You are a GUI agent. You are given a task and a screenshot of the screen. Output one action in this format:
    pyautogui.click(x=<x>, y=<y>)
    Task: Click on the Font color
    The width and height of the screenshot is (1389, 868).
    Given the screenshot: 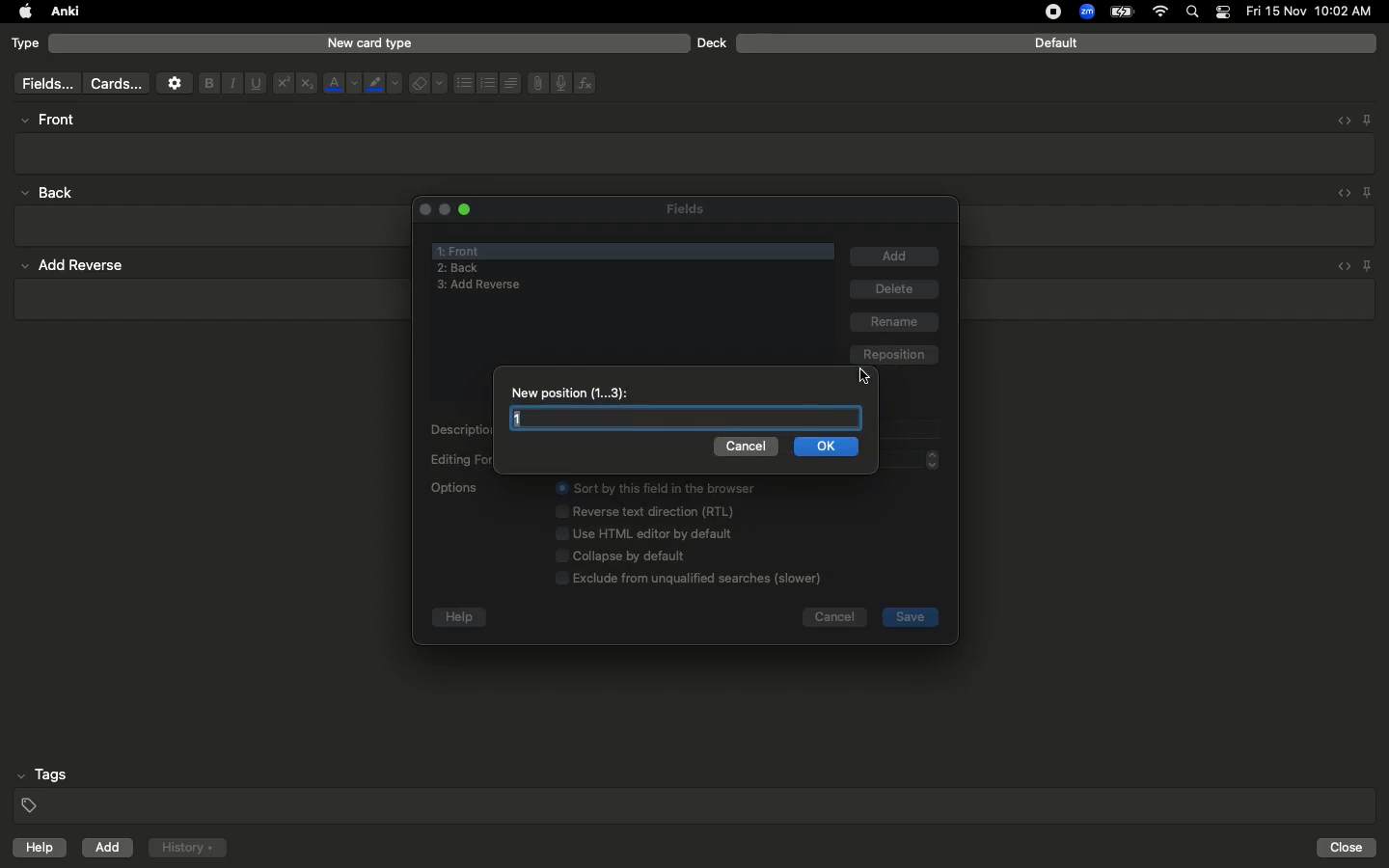 What is the action you would take?
    pyautogui.click(x=340, y=83)
    